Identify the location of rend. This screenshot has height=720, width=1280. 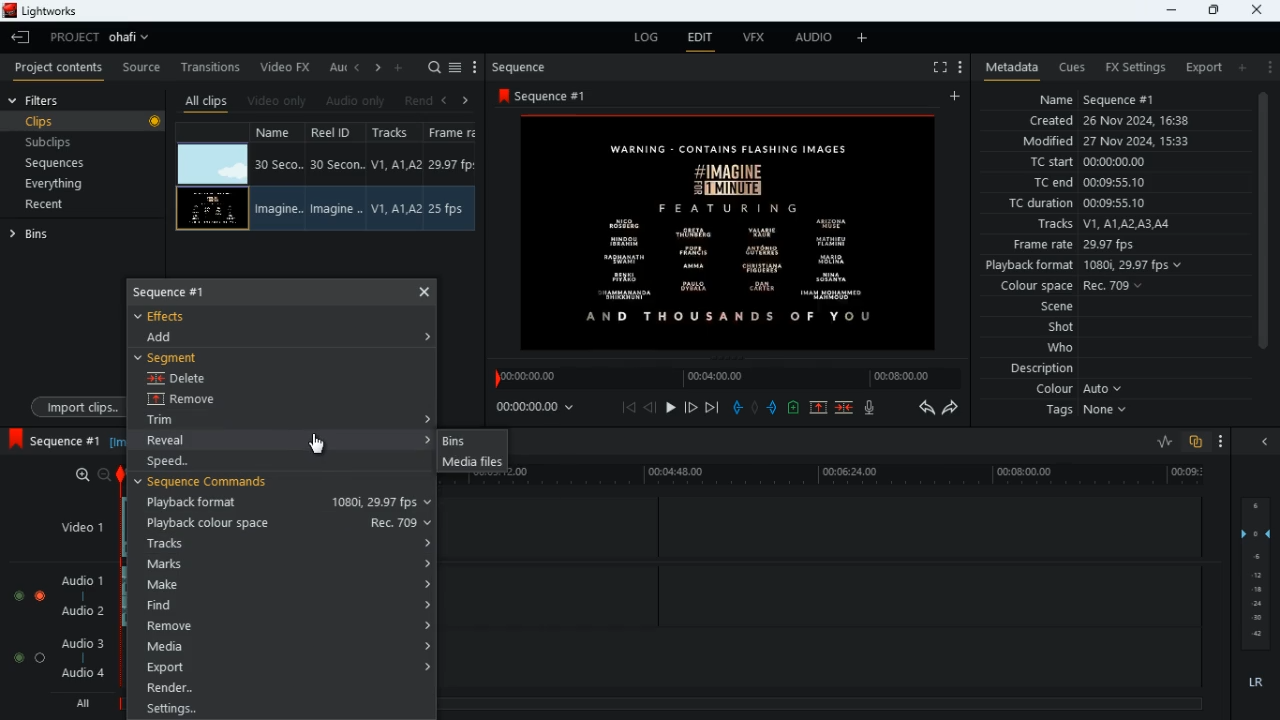
(420, 100).